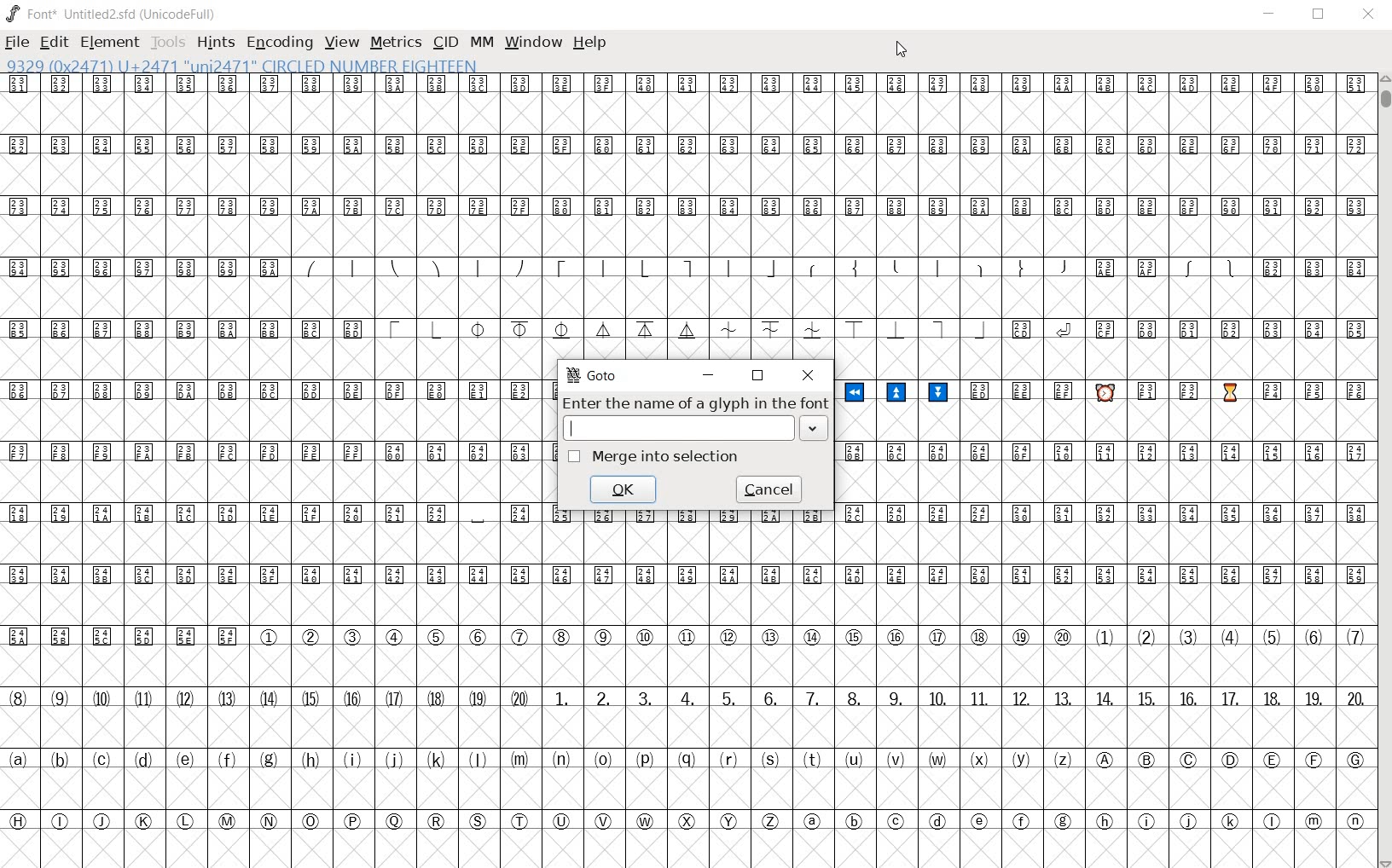  I want to click on Enter the name of a glyph in the font, so click(694, 404).